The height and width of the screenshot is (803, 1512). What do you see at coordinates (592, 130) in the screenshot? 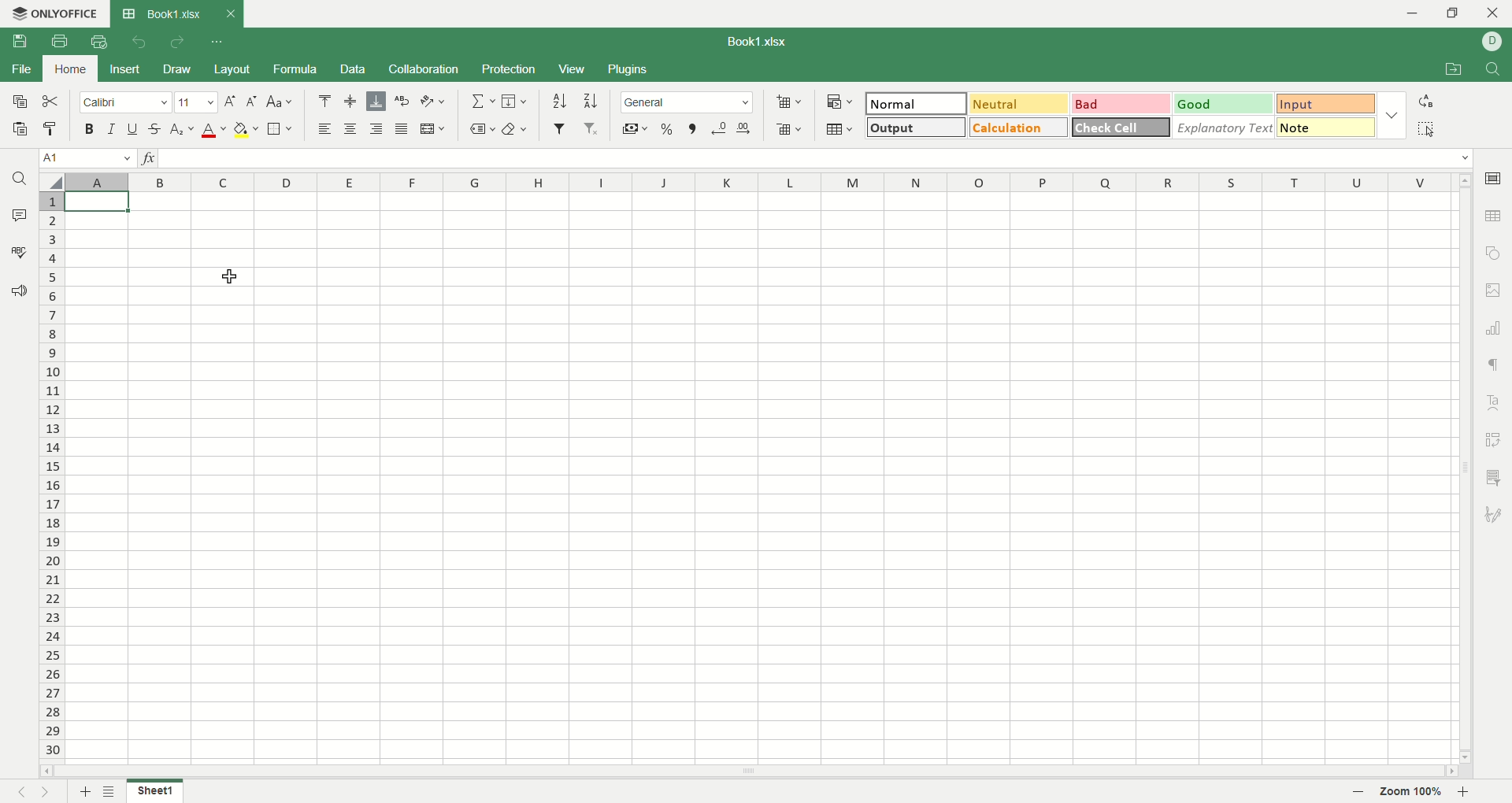
I see `remove filter` at bounding box center [592, 130].